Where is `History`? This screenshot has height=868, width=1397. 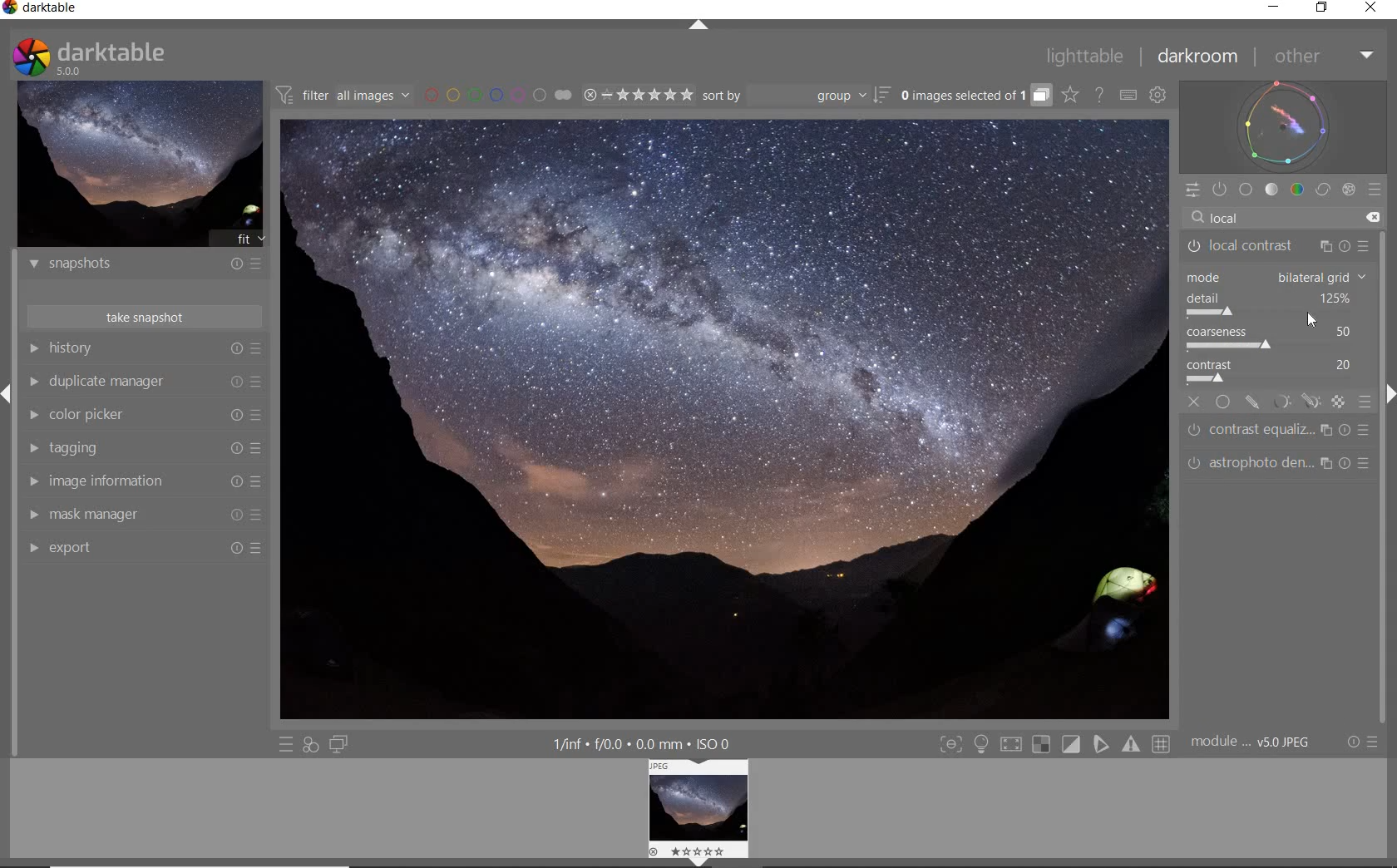 History is located at coordinates (86, 349).